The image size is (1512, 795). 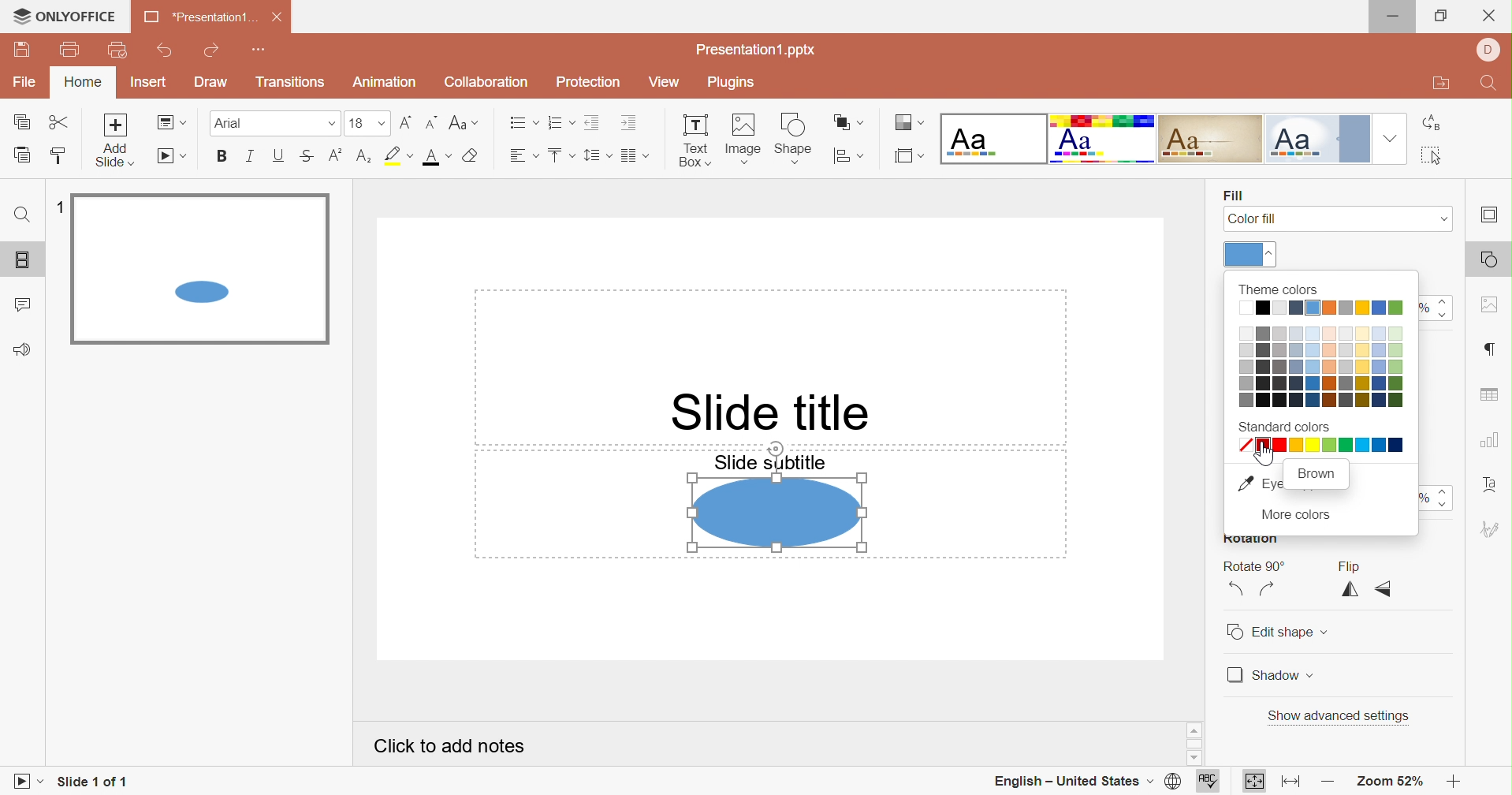 I want to click on 1, so click(x=61, y=208).